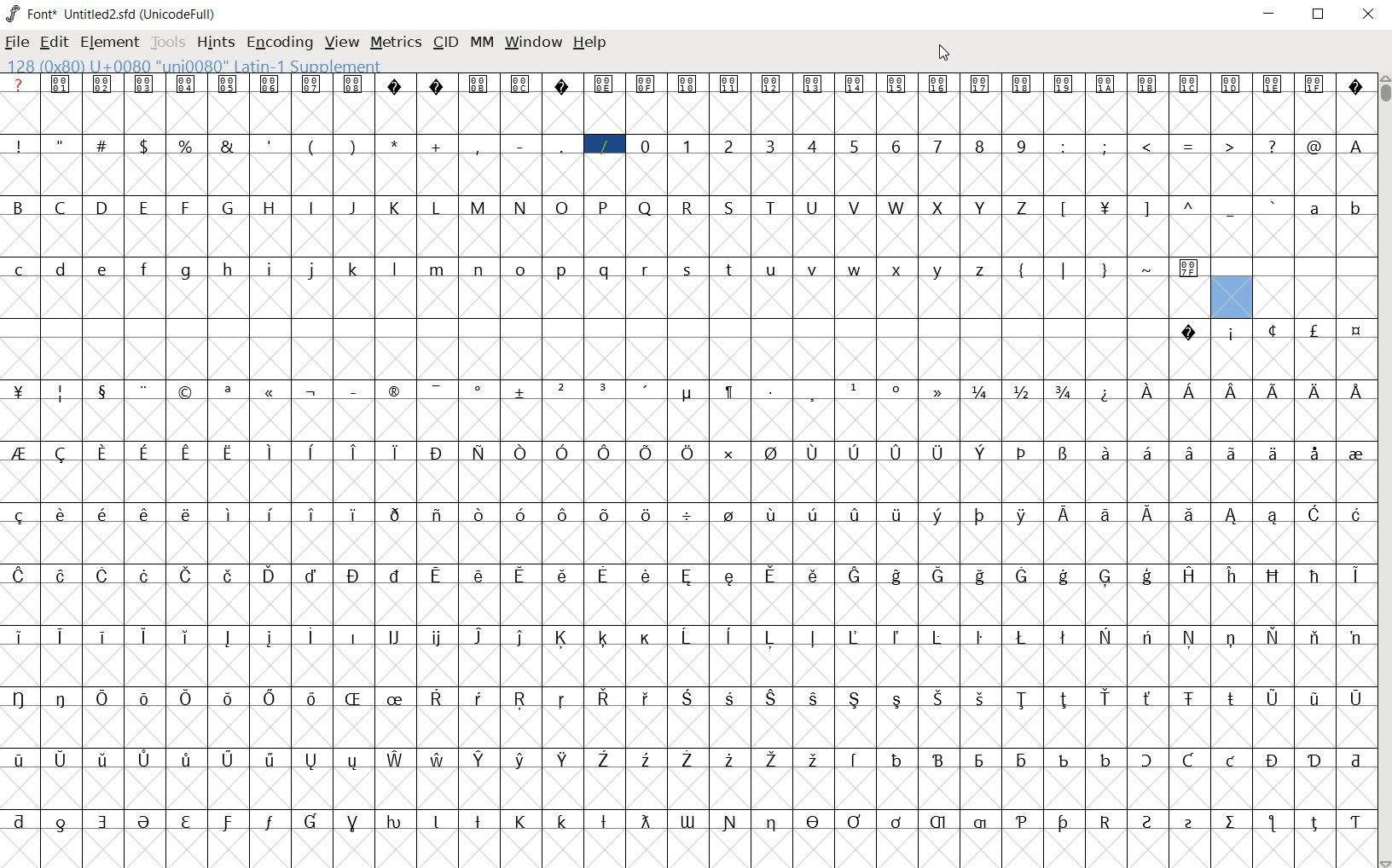  What do you see at coordinates (1190, 575) in the screenshot?
I see `glyph` at bounding box center [1190, 575].